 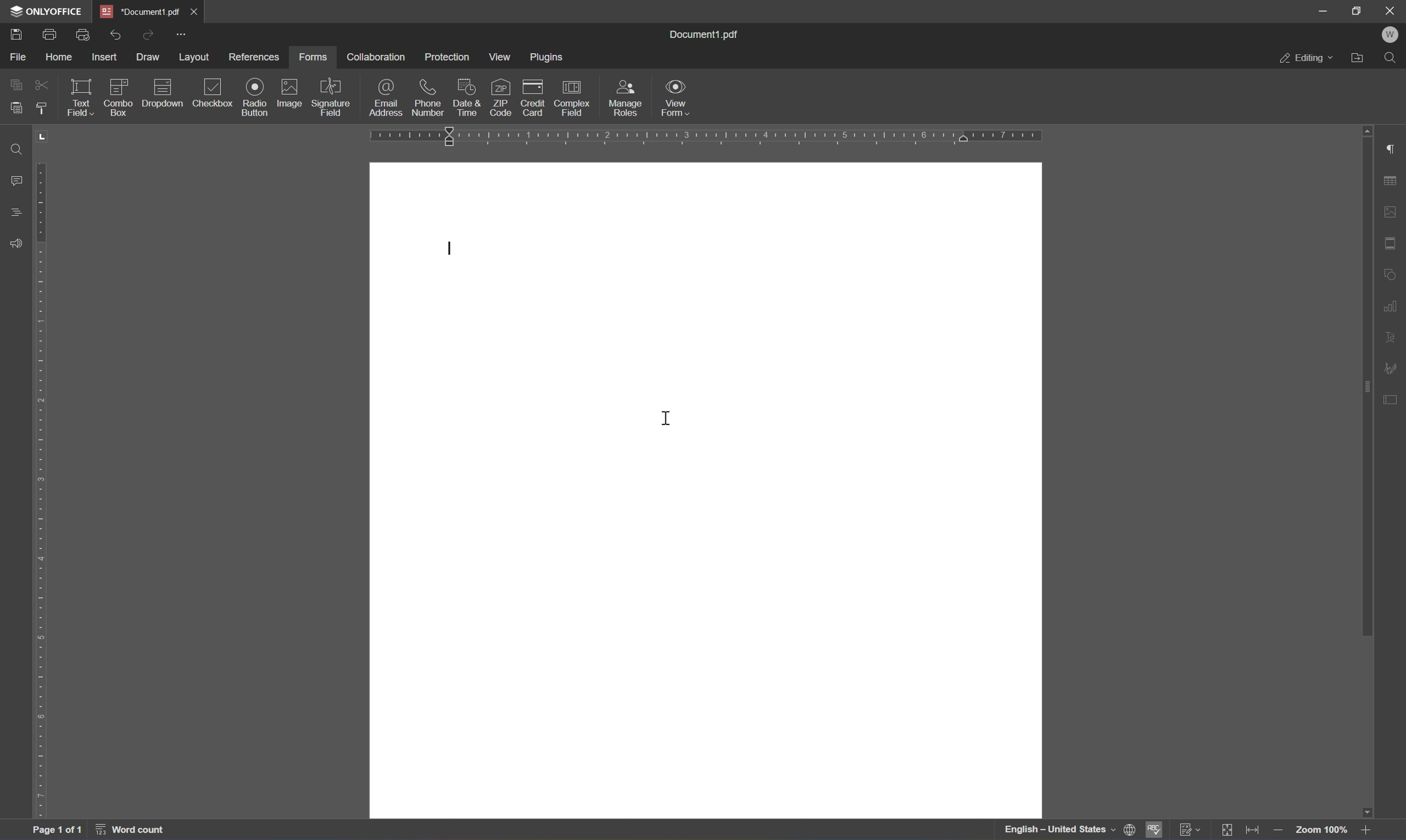 I want to click on layout, so click(x=193, y=58).